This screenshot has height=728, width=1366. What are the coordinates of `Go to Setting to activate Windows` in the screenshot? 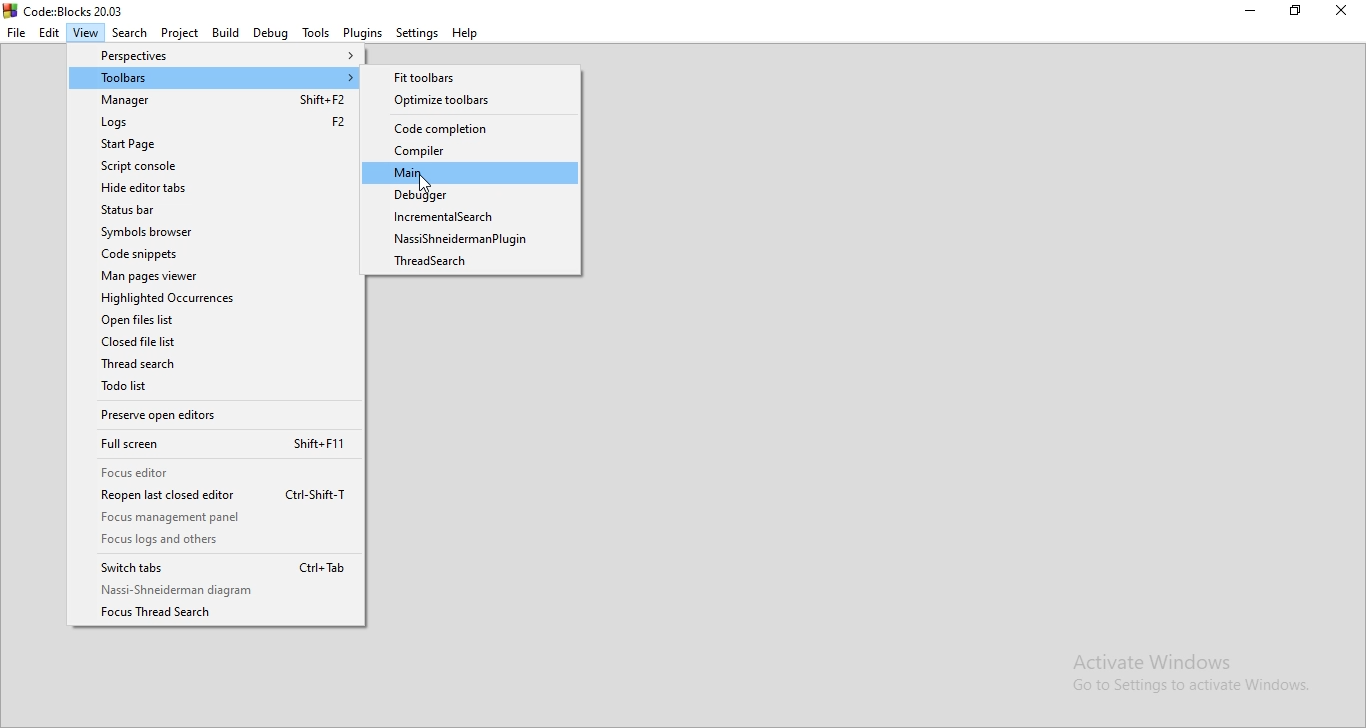 It's located at (1189, 688).